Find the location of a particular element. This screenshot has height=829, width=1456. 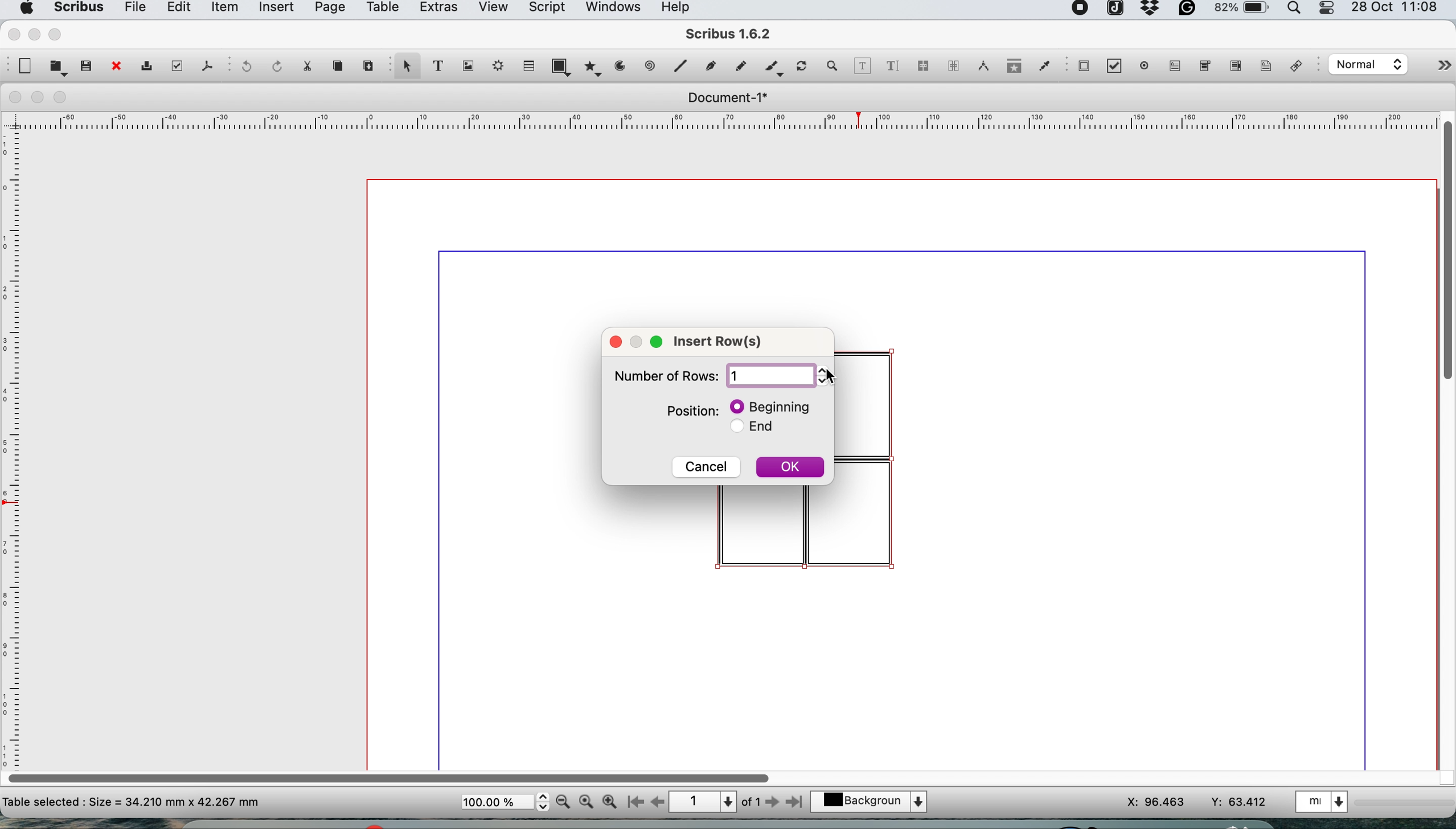

go to first page is located at coordinates (634, 803).